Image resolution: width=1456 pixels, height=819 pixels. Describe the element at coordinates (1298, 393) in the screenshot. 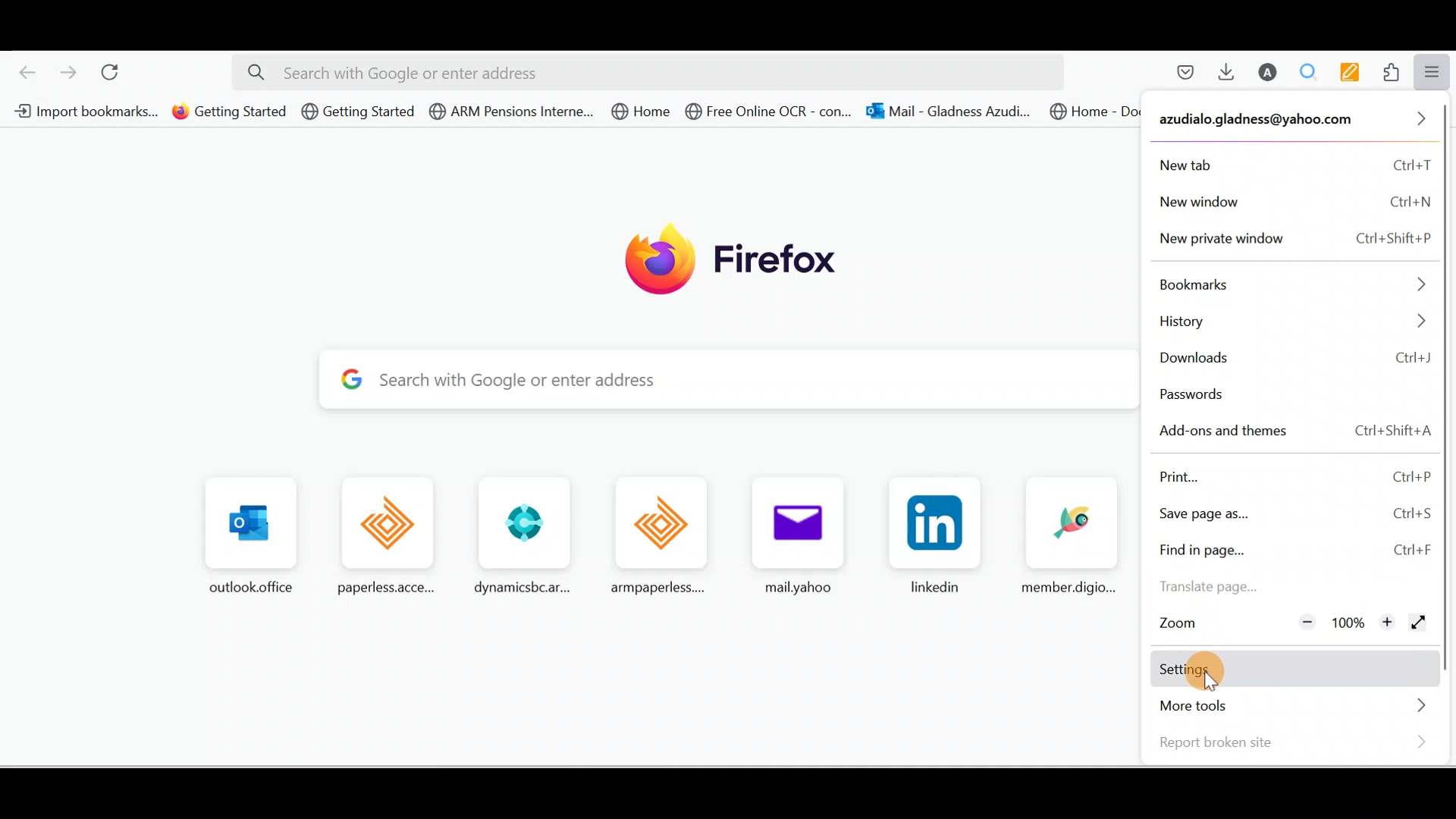

I see `Passwords` at that location.